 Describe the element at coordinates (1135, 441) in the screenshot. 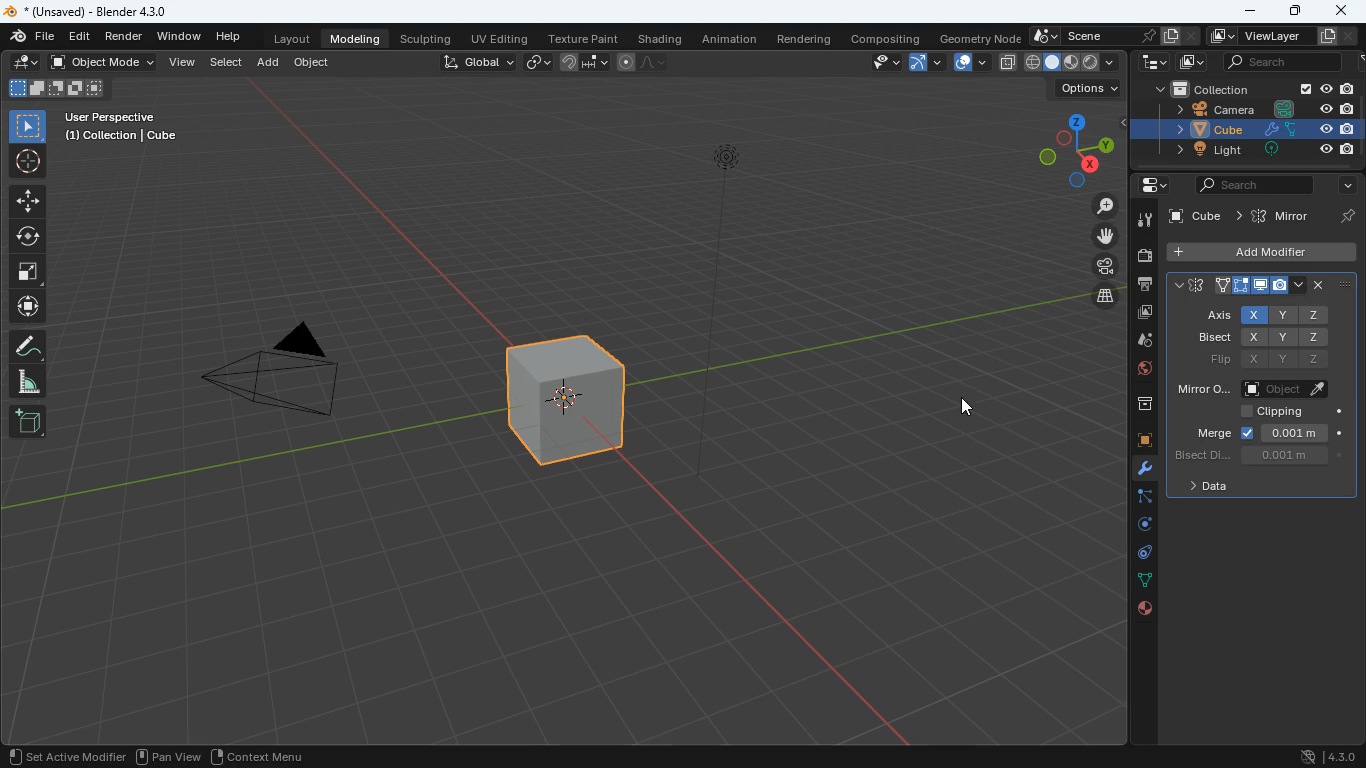

I see `cube` at that location.